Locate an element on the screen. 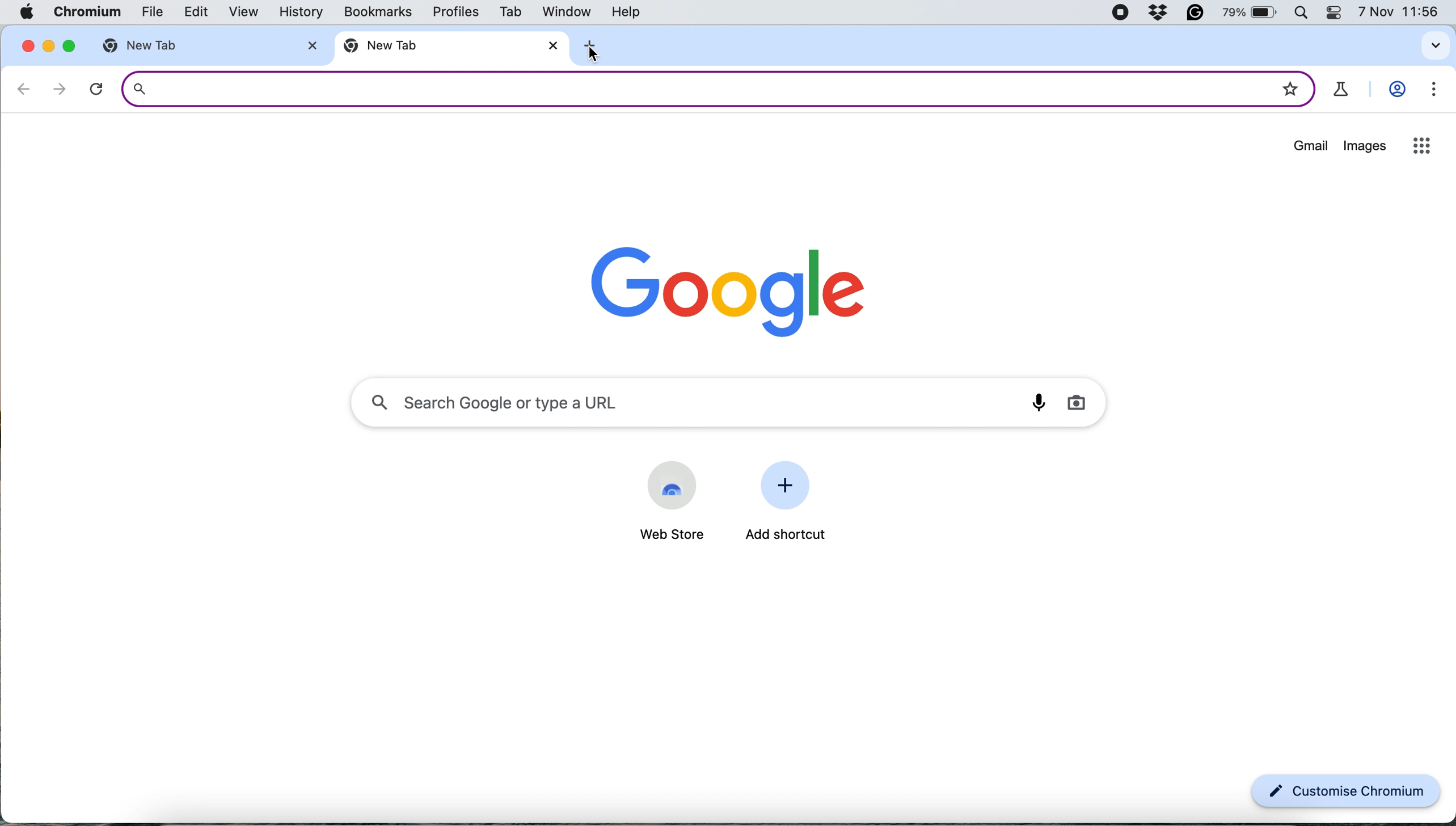 The image size is (1456, 826). profile is located at coordinates (1396, 91).